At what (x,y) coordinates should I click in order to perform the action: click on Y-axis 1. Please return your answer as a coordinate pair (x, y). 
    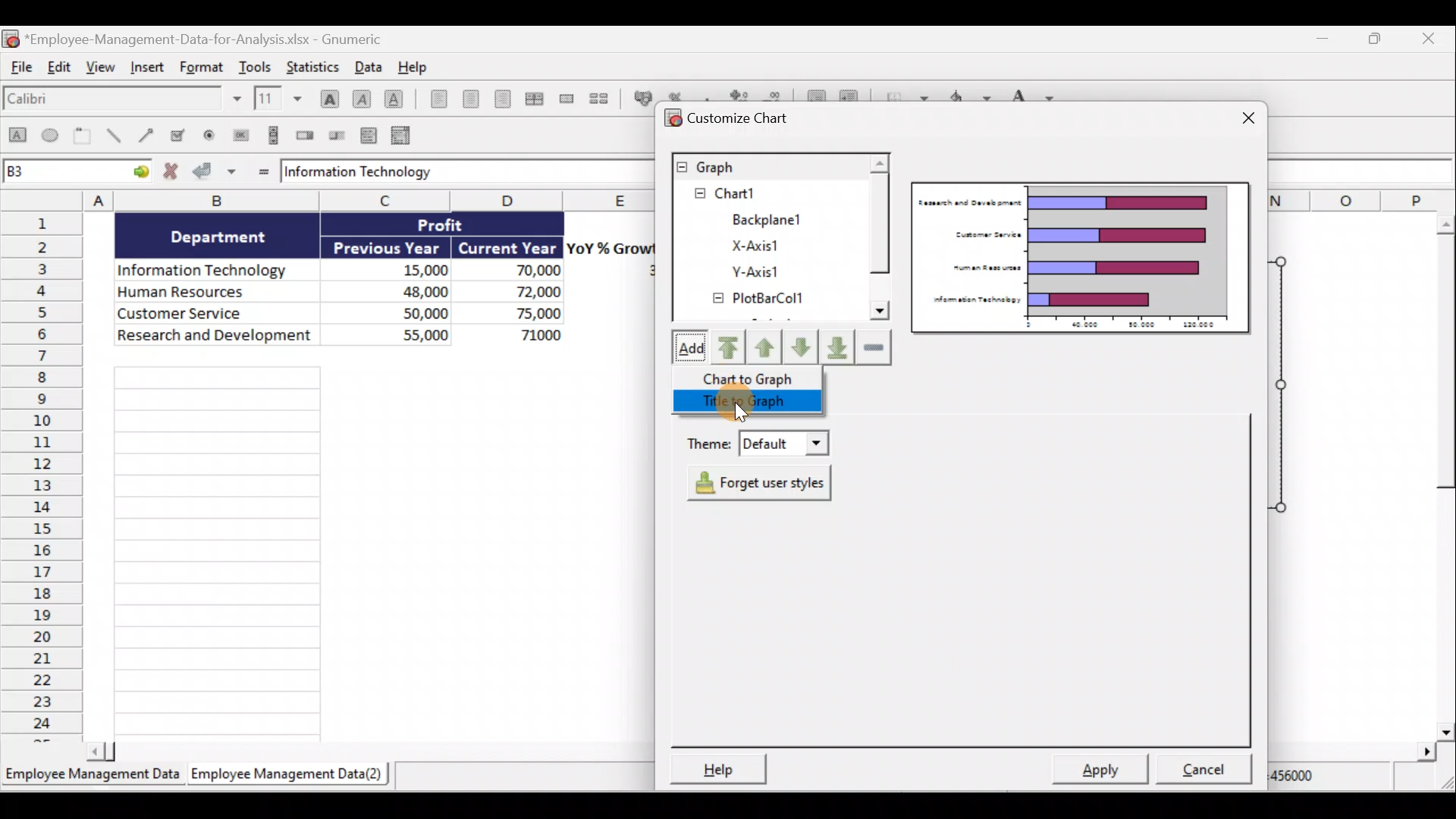
    Looking at the image, I should click on (768, 271).